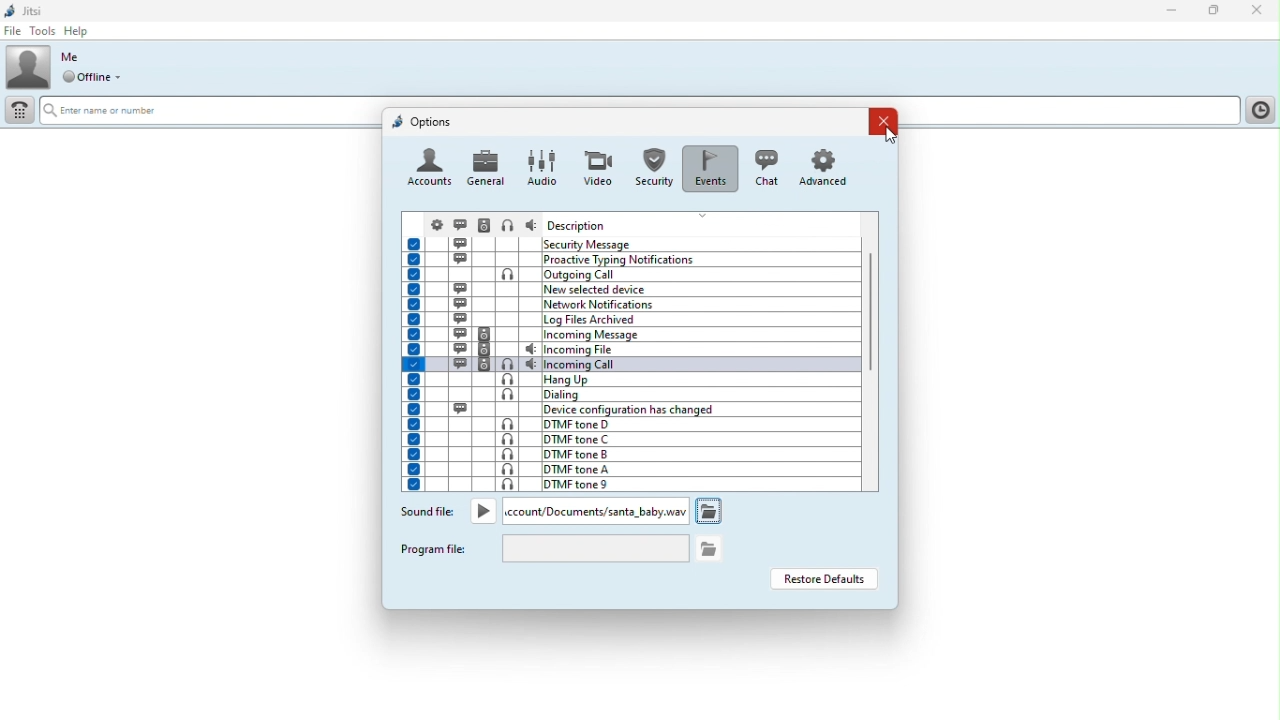 The width and height of the screenshot is (1280, 720). Describe the element at coordinates (26, 9) in the screenshot. I see `Jitsi` at that location.